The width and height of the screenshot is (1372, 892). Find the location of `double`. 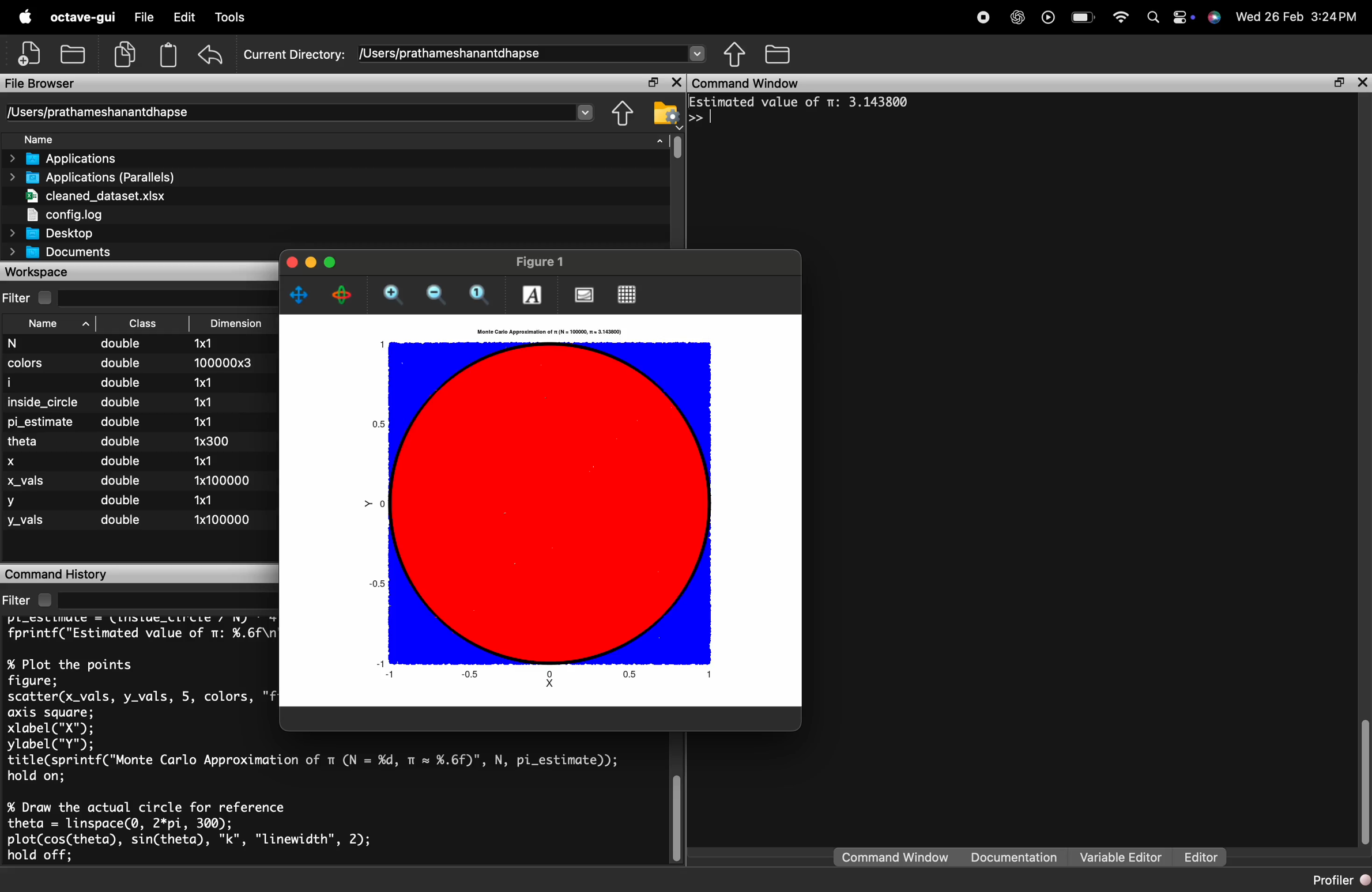

double is located at coordinates (119, 382).